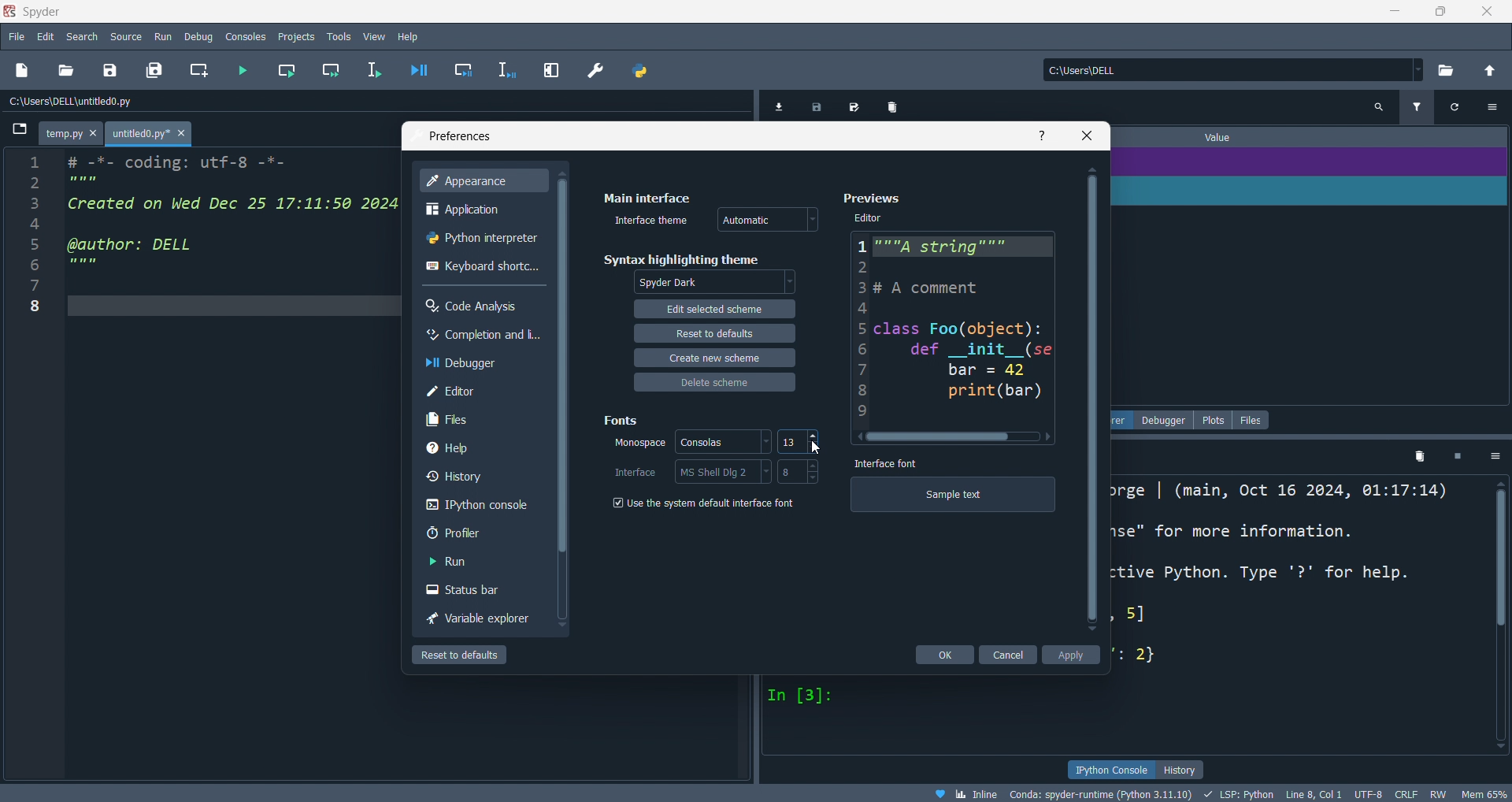 Image resolution: width=1512 pixels, height=802 pixels. I want to click on consoles, so click(247, 36).